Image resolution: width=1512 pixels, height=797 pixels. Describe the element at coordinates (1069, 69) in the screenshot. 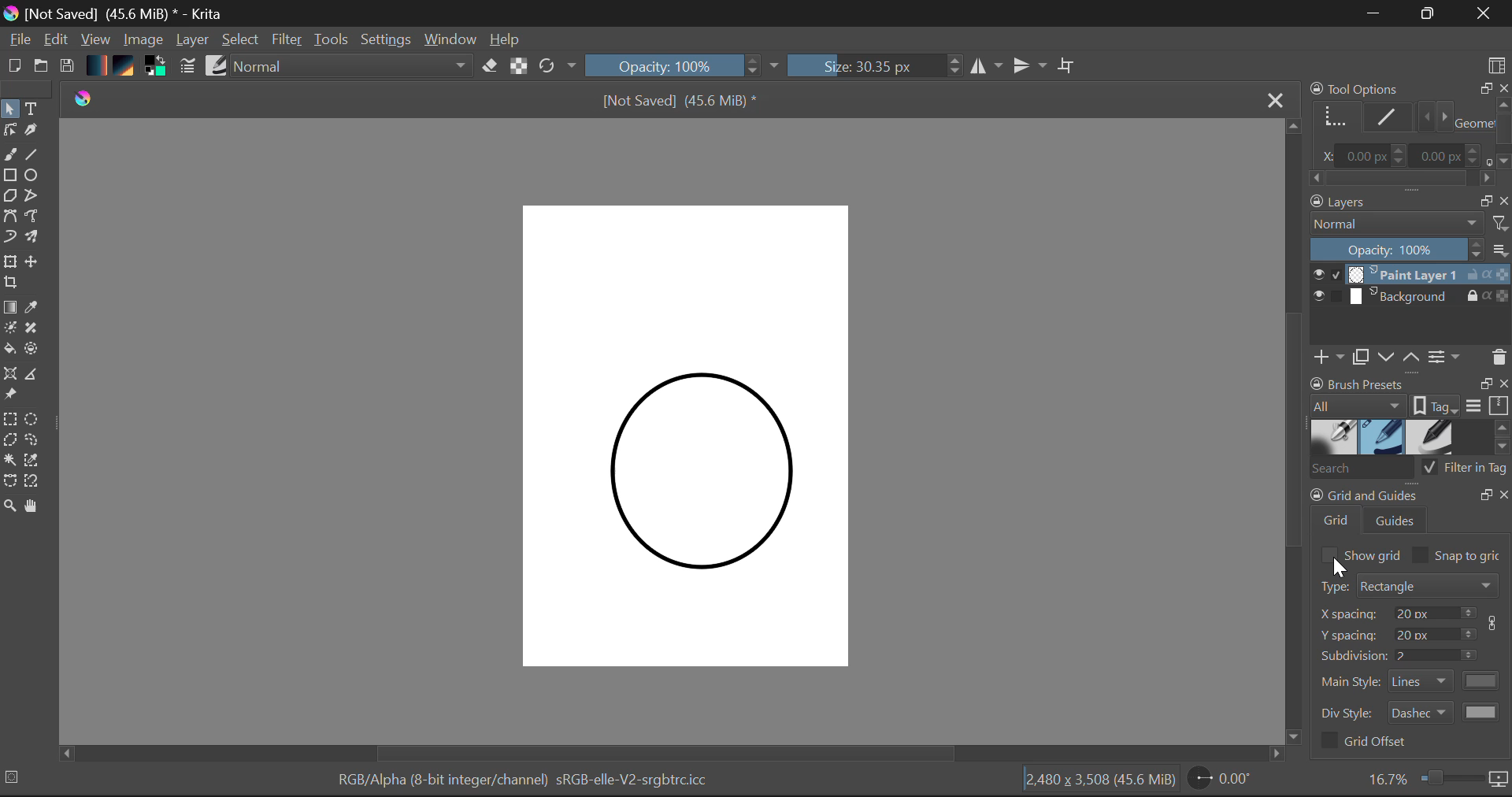

I see `Crop` at that location.